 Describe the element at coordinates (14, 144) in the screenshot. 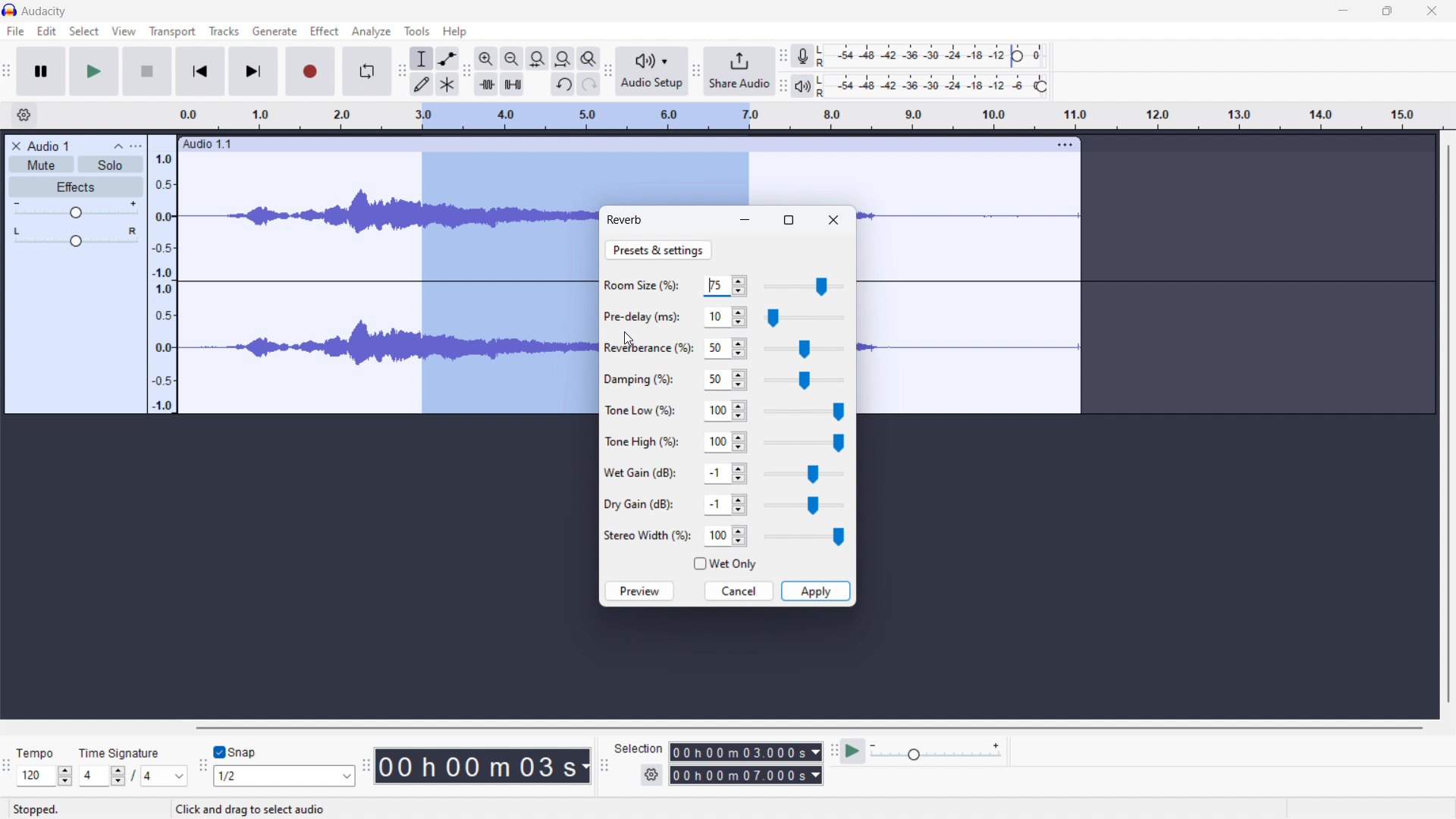

I see `close audio` at that location.